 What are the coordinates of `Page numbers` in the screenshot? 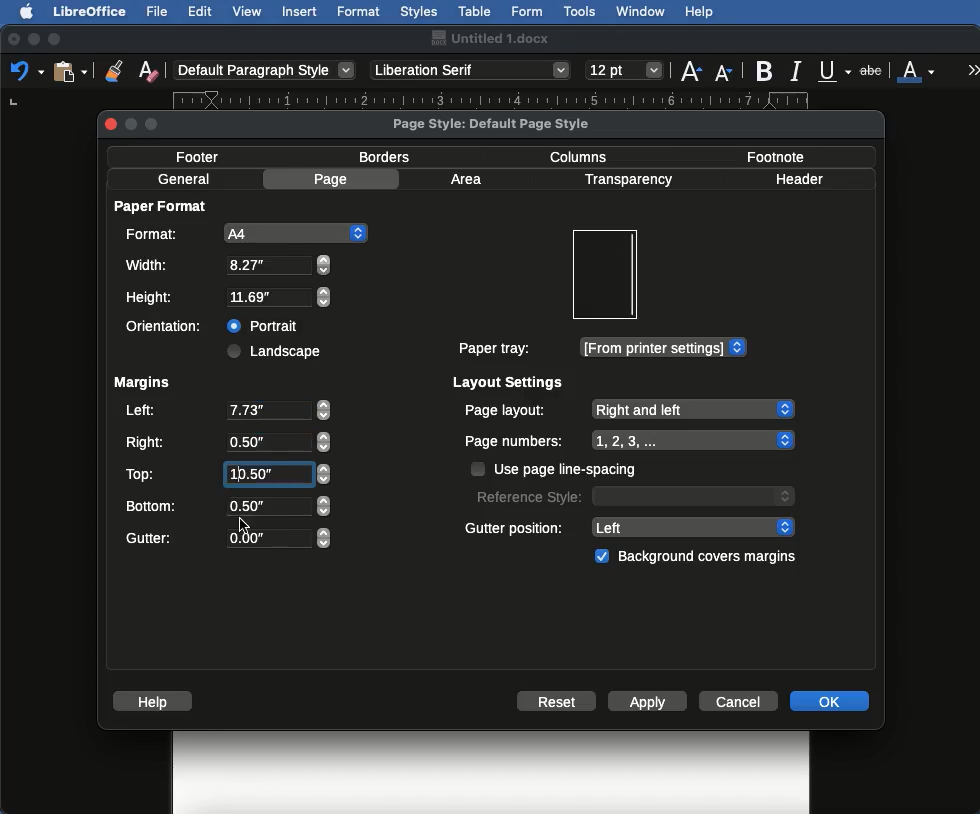 It's located at (630, 441).